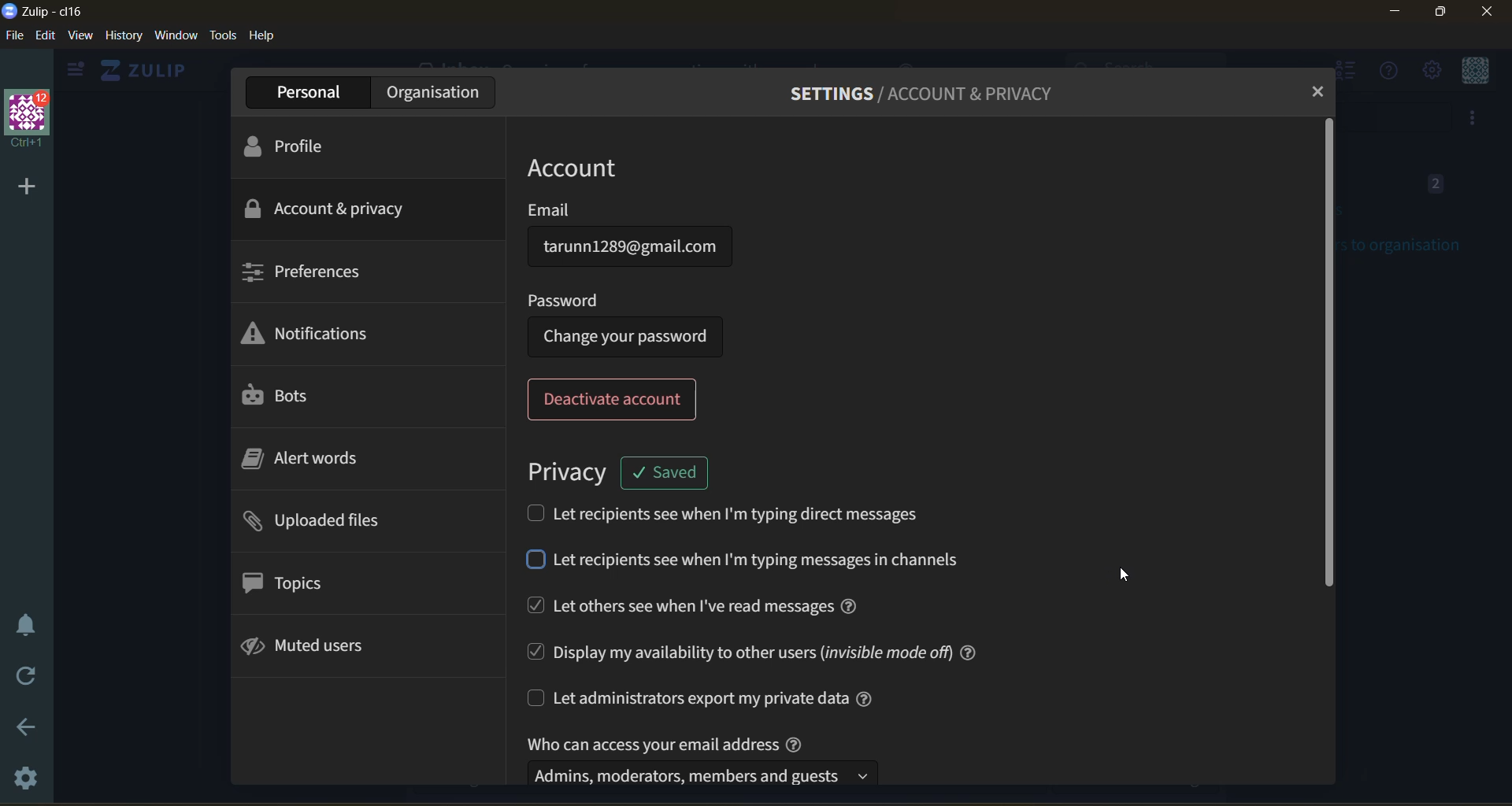  Describe the element at coordinates (283, 397) in the screenshot. I see `bots` at that location.